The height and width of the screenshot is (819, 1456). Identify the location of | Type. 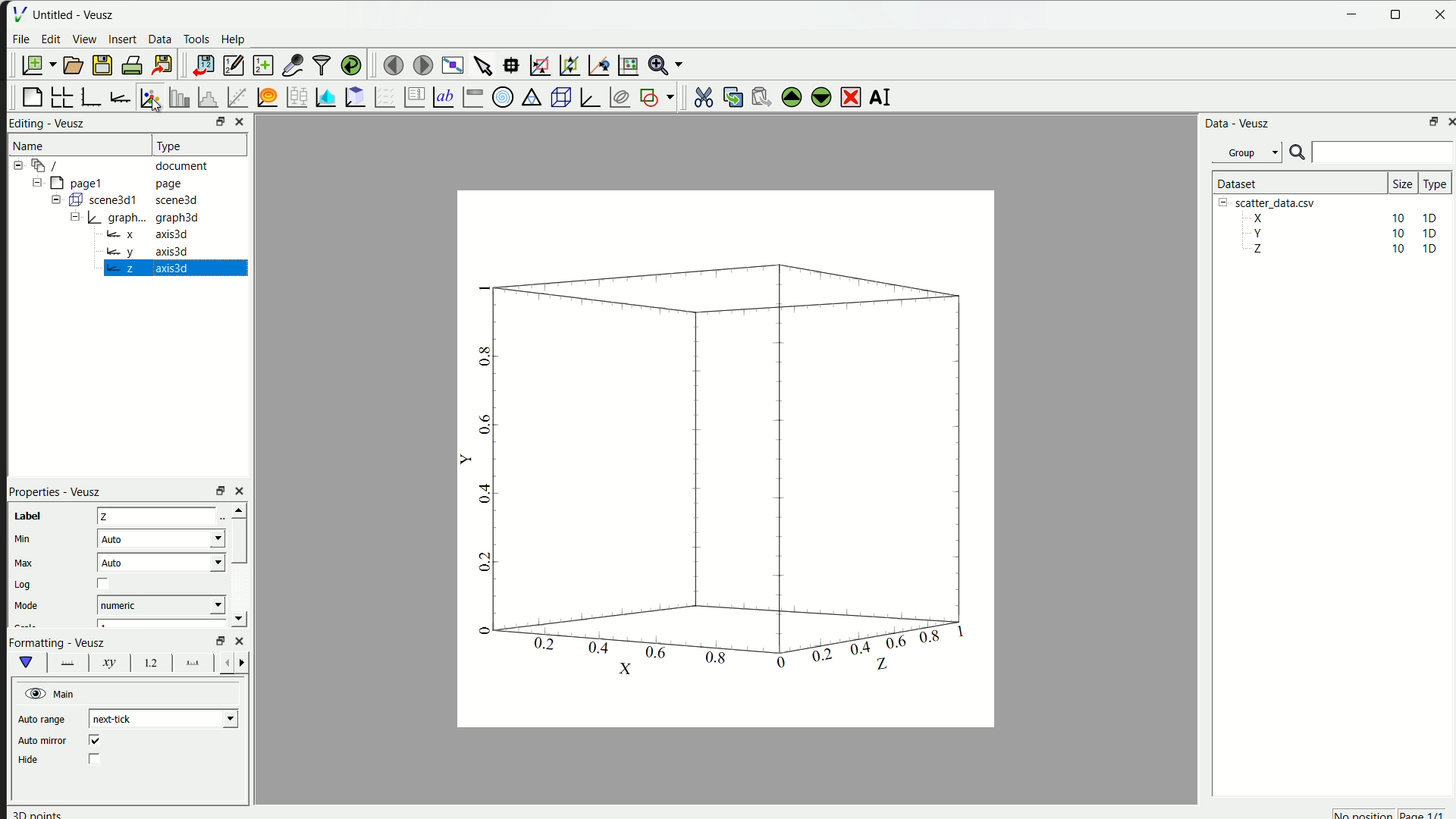
(171, 145).